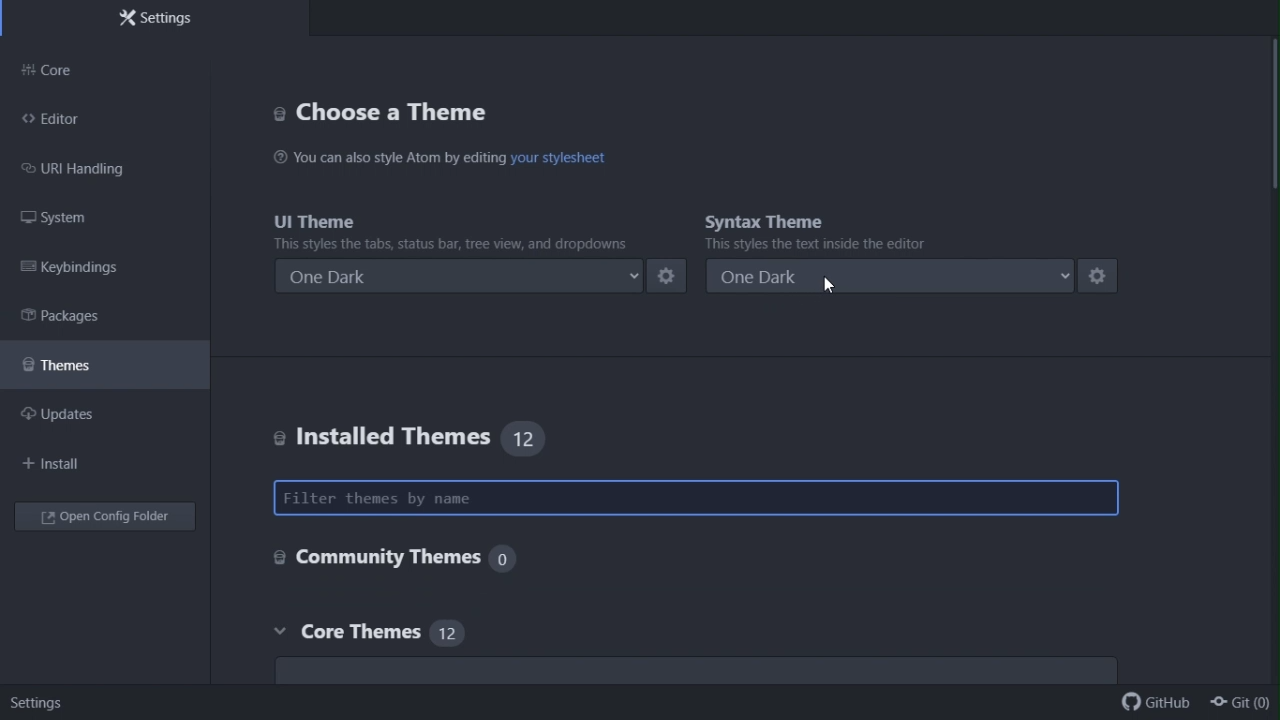  I want to click on settings, so click(668, 277).